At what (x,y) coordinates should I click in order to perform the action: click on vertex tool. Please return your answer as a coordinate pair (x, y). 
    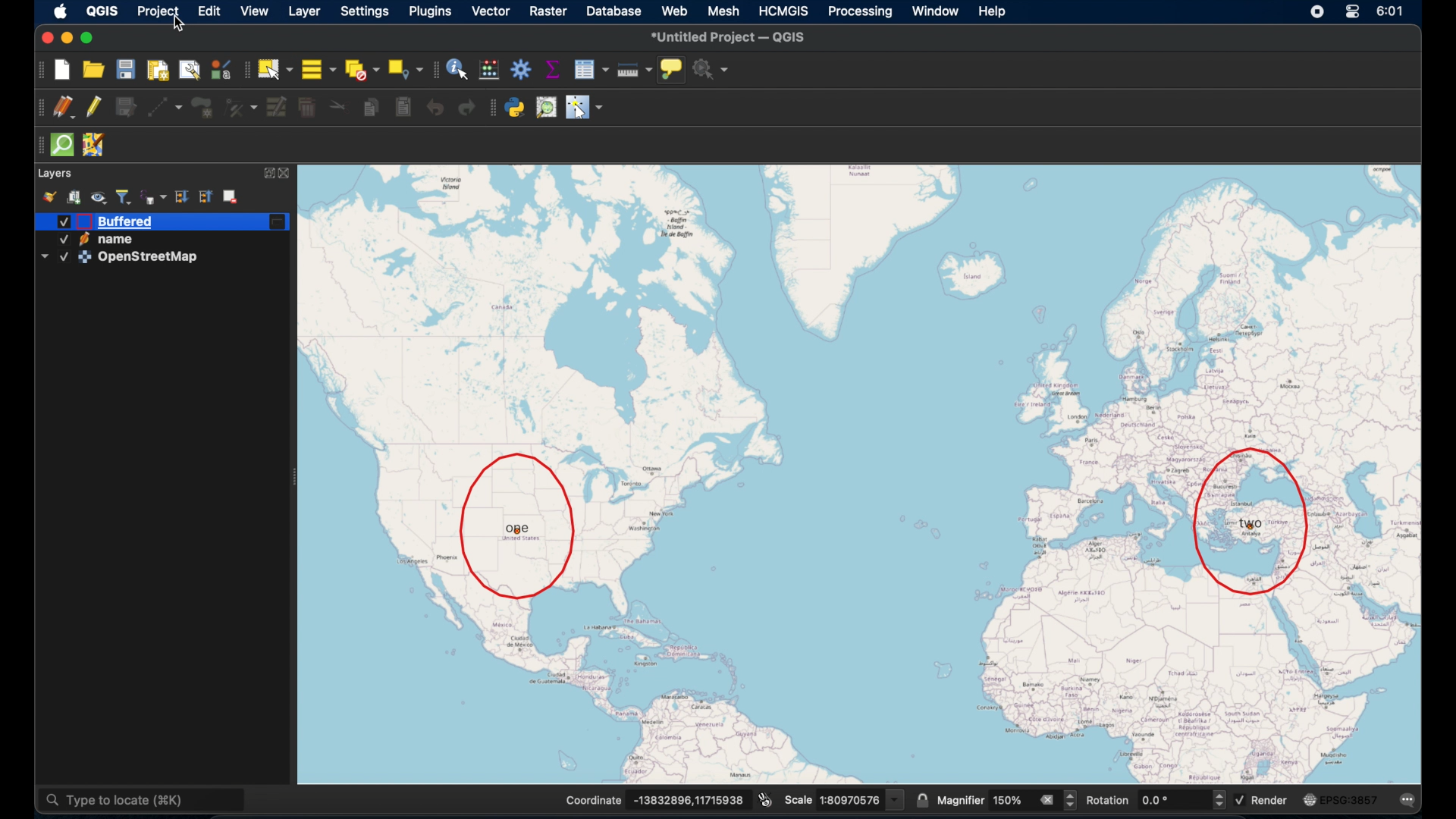
    Looking at the image, I should click on (240, 105).